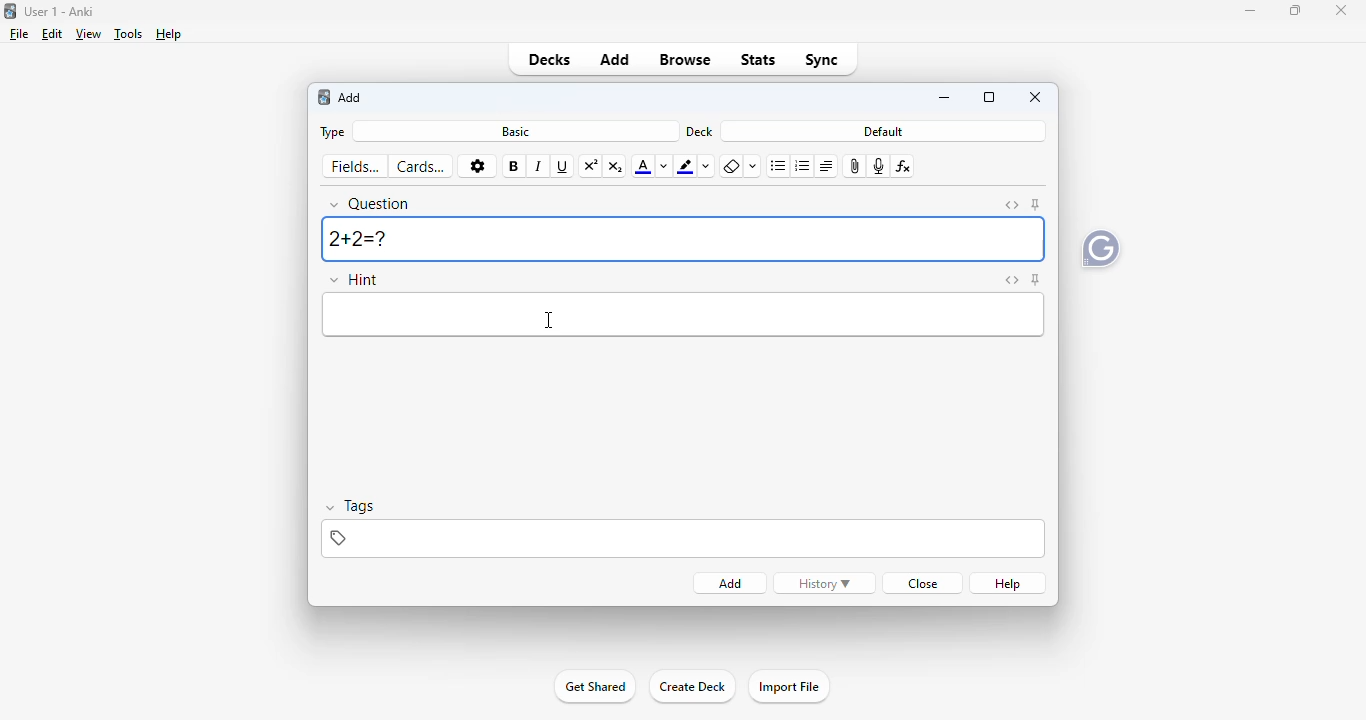  I want to click on help, so click(170, 34).